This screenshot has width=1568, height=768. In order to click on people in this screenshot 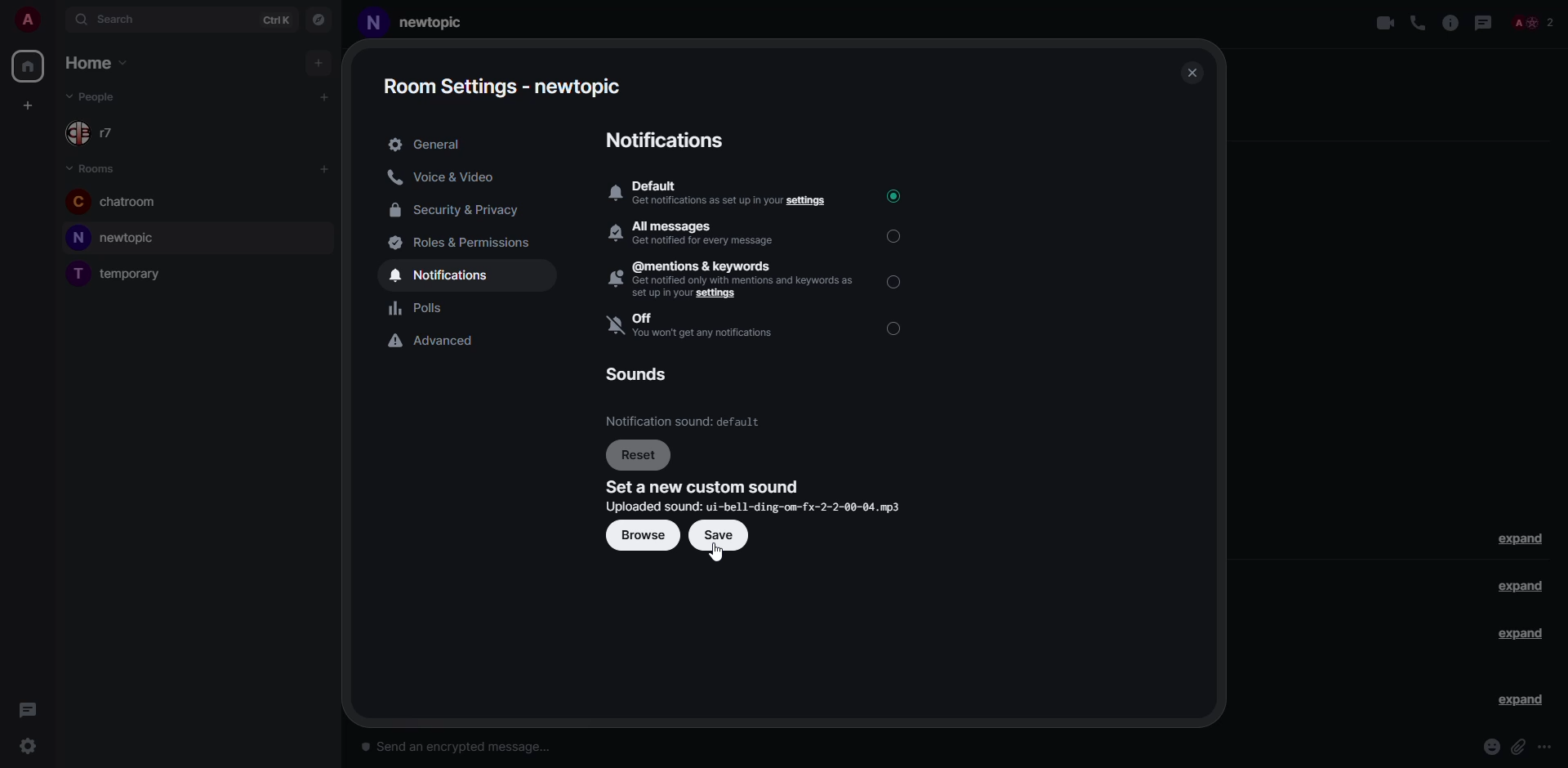, I will do `click(1532, 23)`.